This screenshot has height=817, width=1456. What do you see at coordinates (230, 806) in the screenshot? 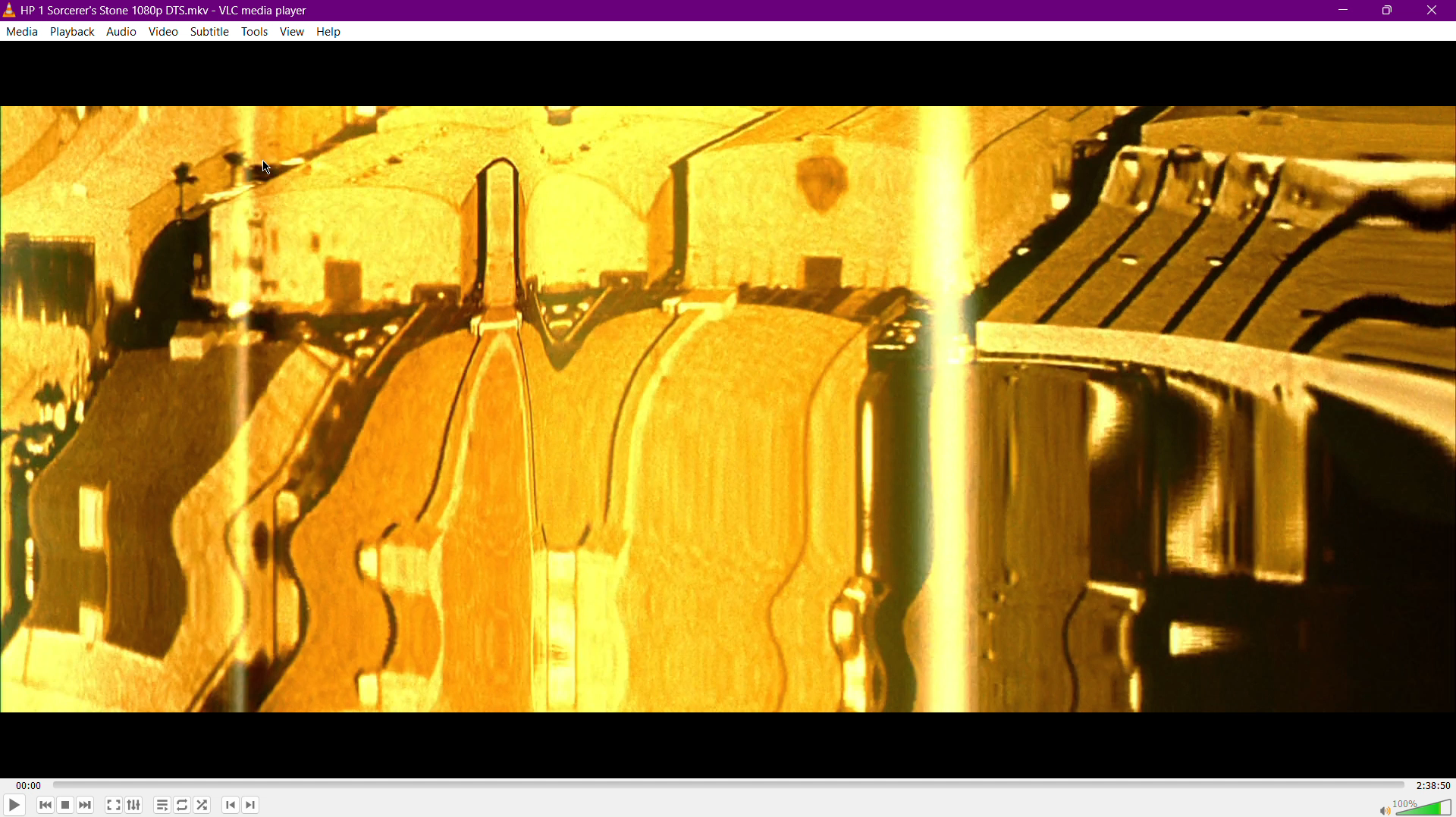
I see `Previous Chapter` at bounding box center [230, 806].